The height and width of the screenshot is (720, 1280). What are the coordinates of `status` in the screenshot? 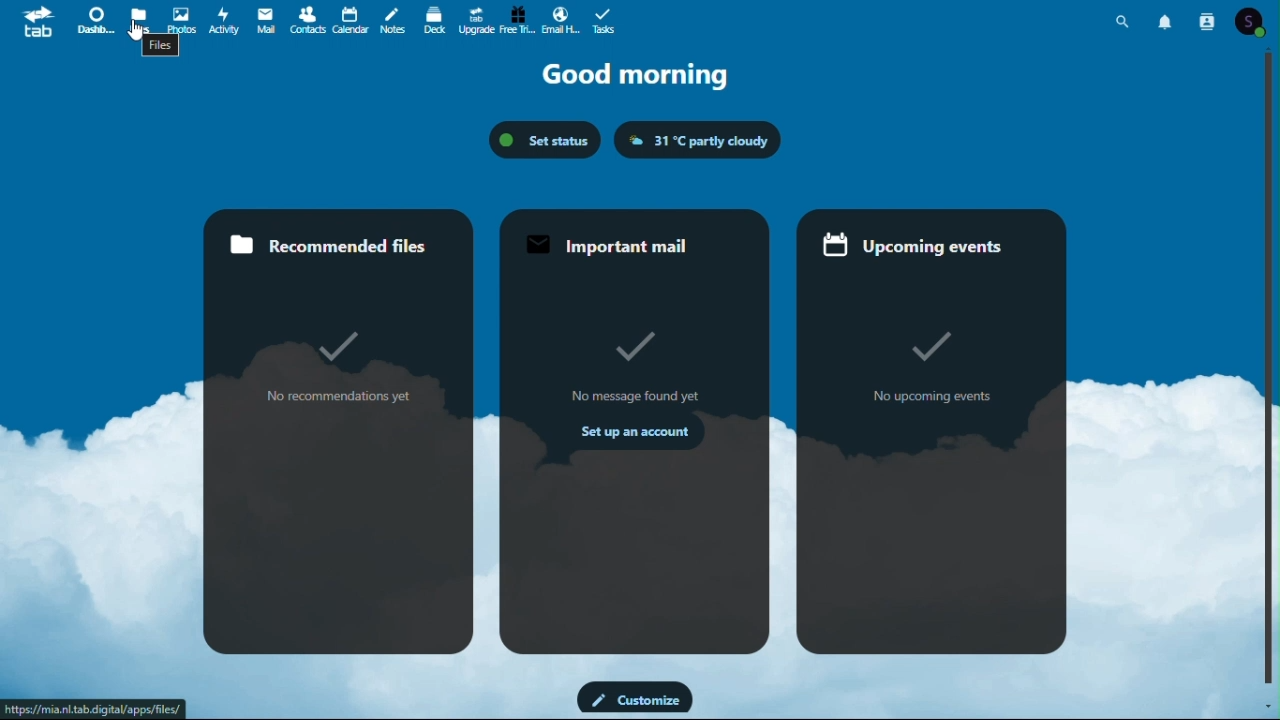 It's located at (544, 139).